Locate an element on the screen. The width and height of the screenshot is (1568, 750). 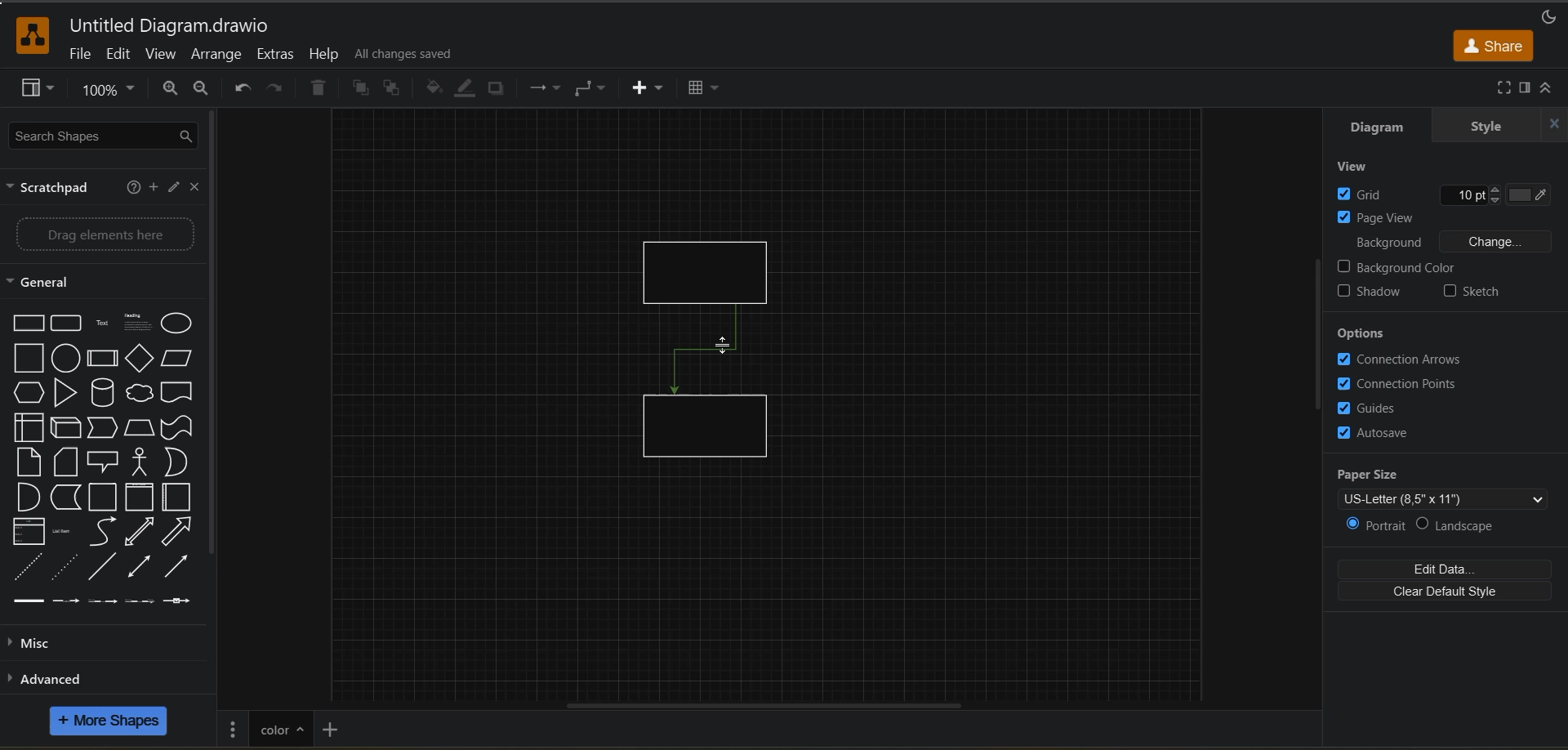
more shapes is located at coordinates (111, 723).